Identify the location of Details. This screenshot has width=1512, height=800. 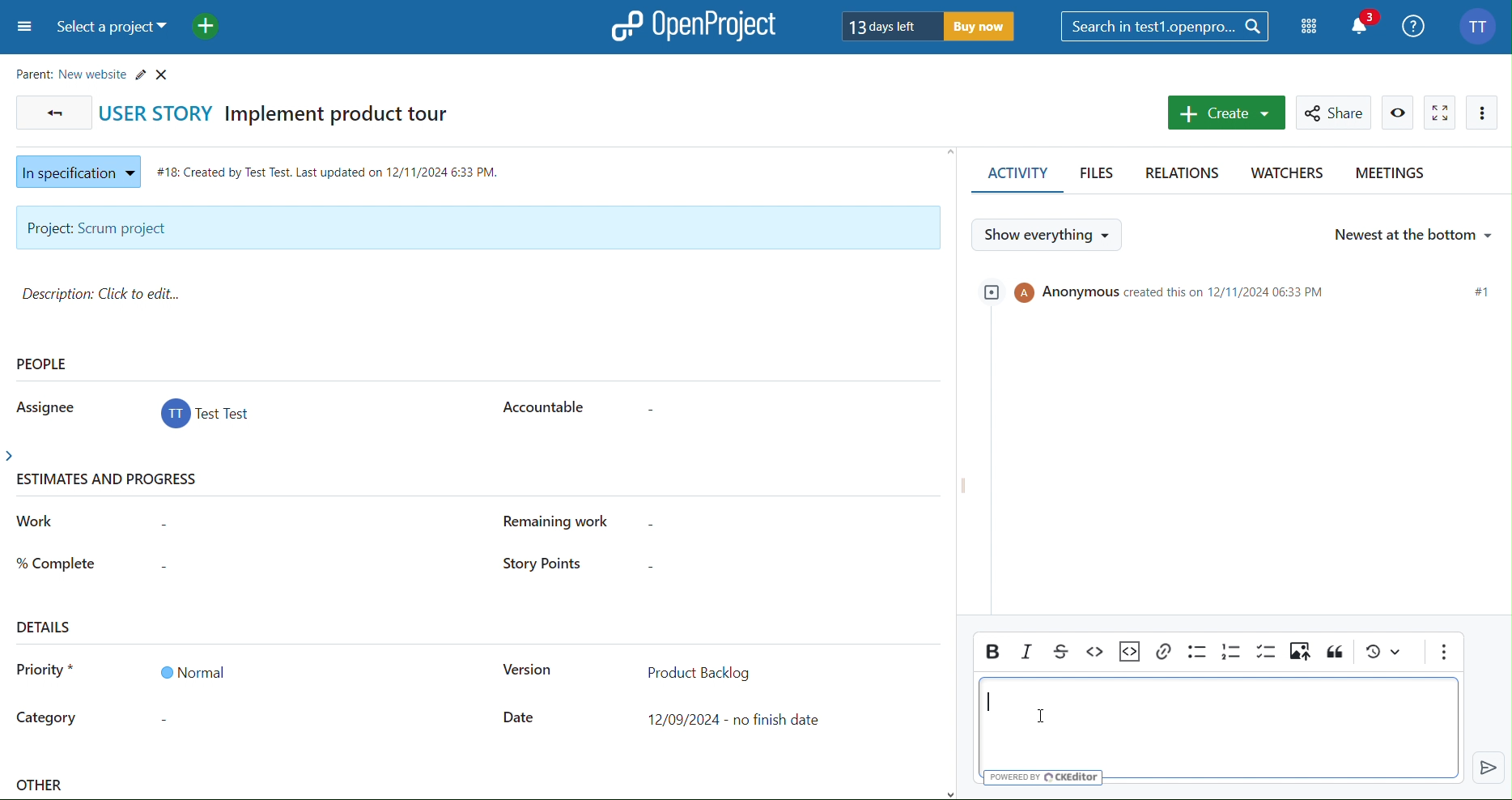
(46, 626).